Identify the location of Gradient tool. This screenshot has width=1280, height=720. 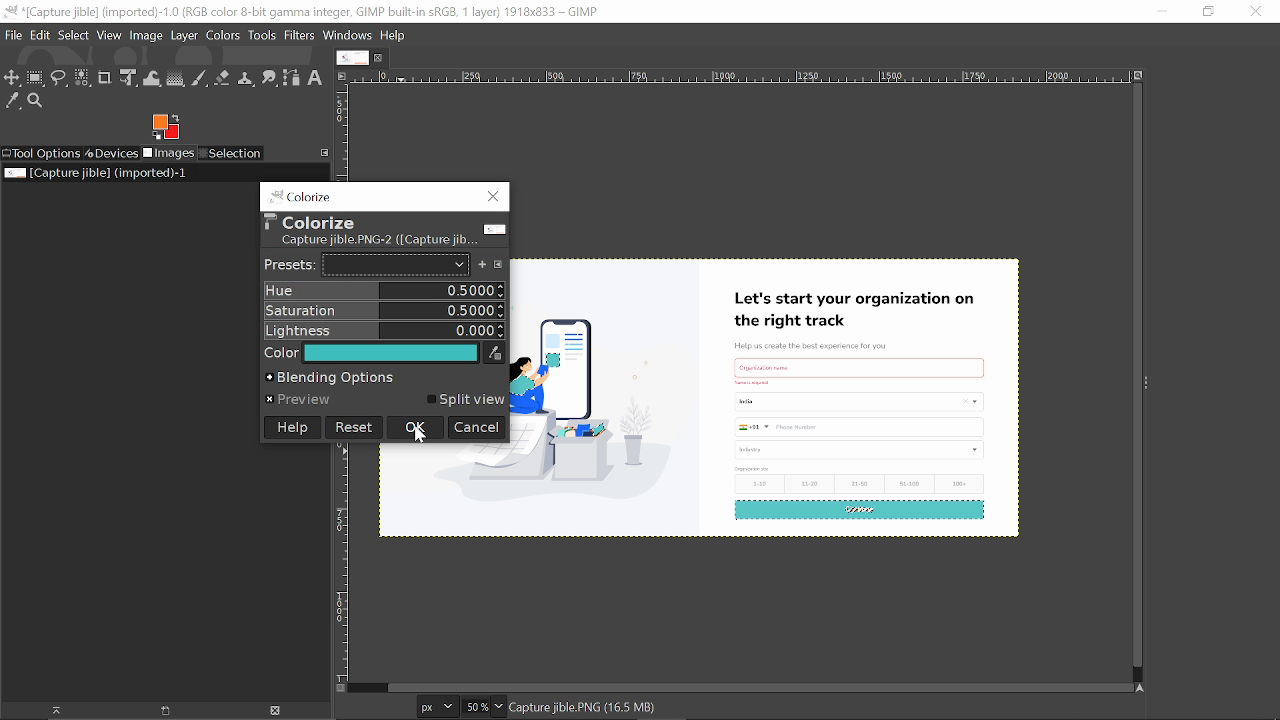
(176, 79).